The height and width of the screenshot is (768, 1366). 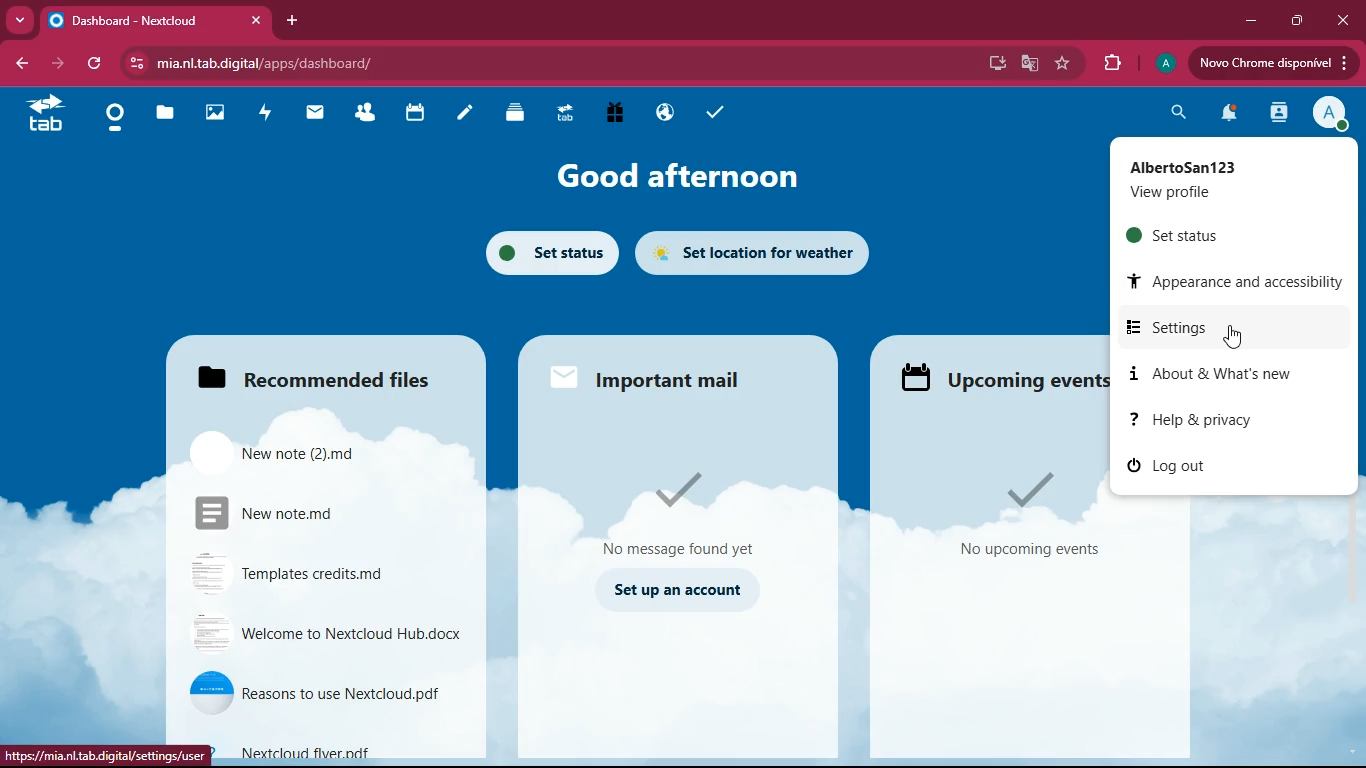 What do you see at coordinates (1062, 63) in the screenshot?
I see `favorite` at bounding box center [1062, 63].